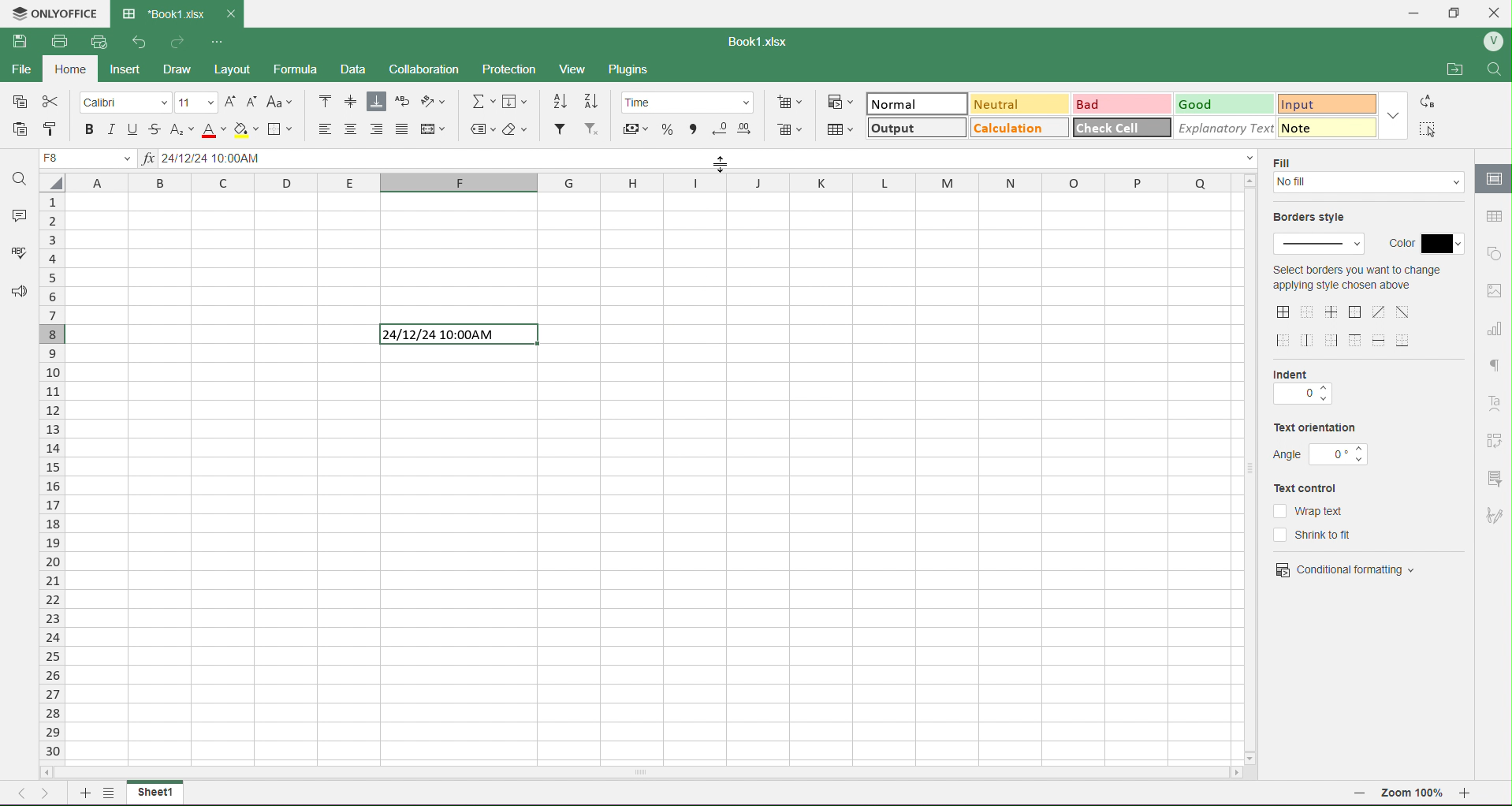 The image size is (1512, 806). What do you see at coordinates (592, 130) in the screenshot?
I see `Clear Filter` at bounding box center [592, 130].